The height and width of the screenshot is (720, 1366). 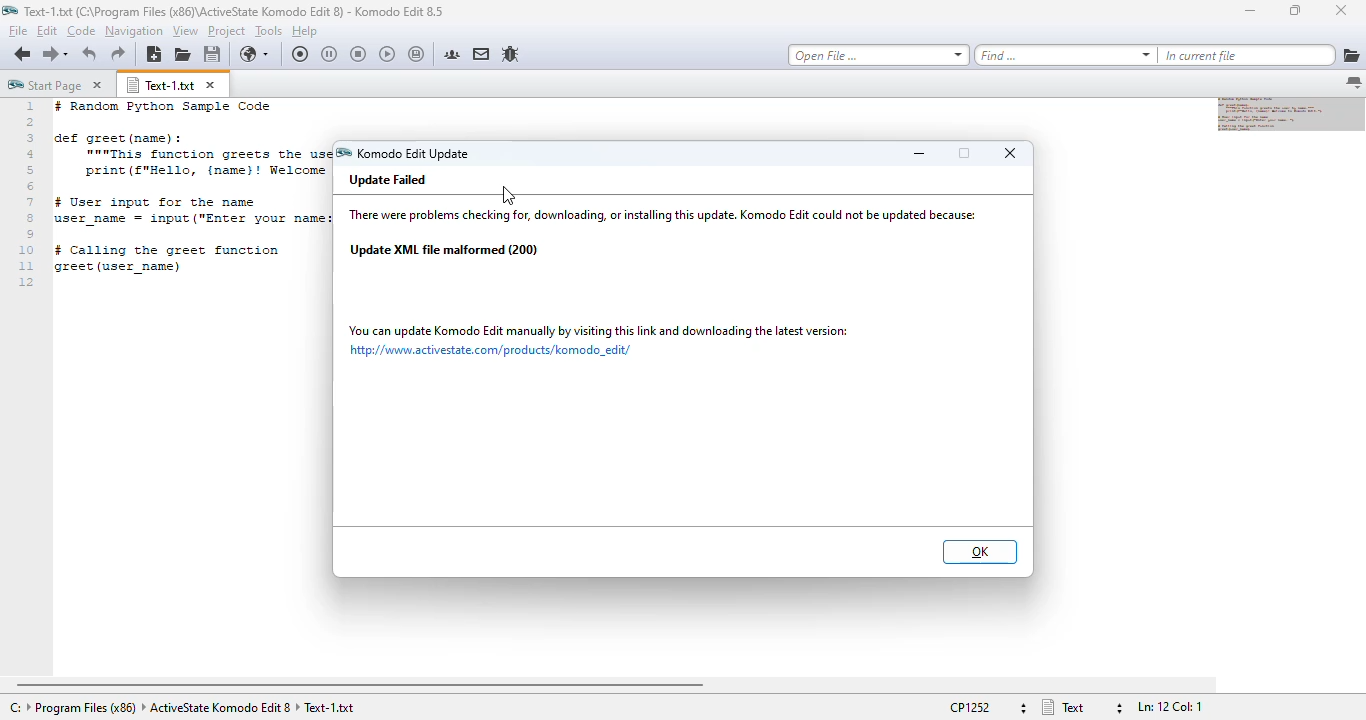 I want to click on text-1 program files, so click(x=182, y=708).